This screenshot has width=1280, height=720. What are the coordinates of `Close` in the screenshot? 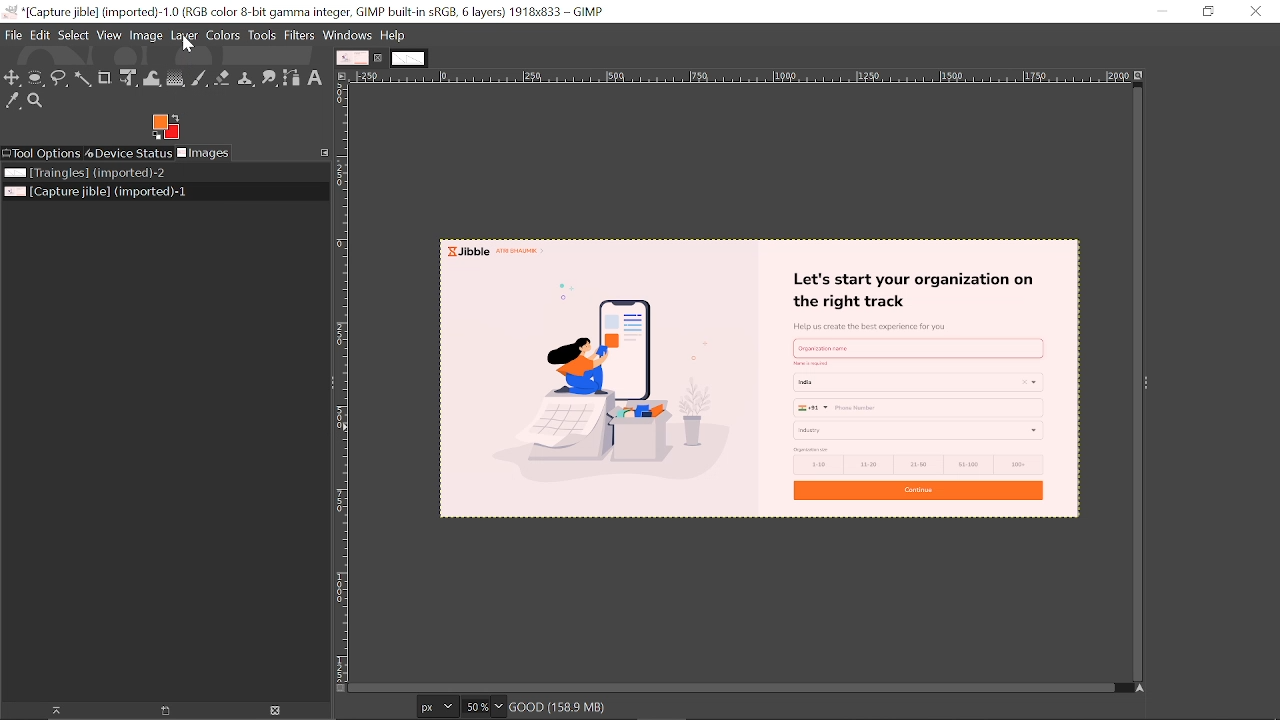 It's located at (1257, 13).